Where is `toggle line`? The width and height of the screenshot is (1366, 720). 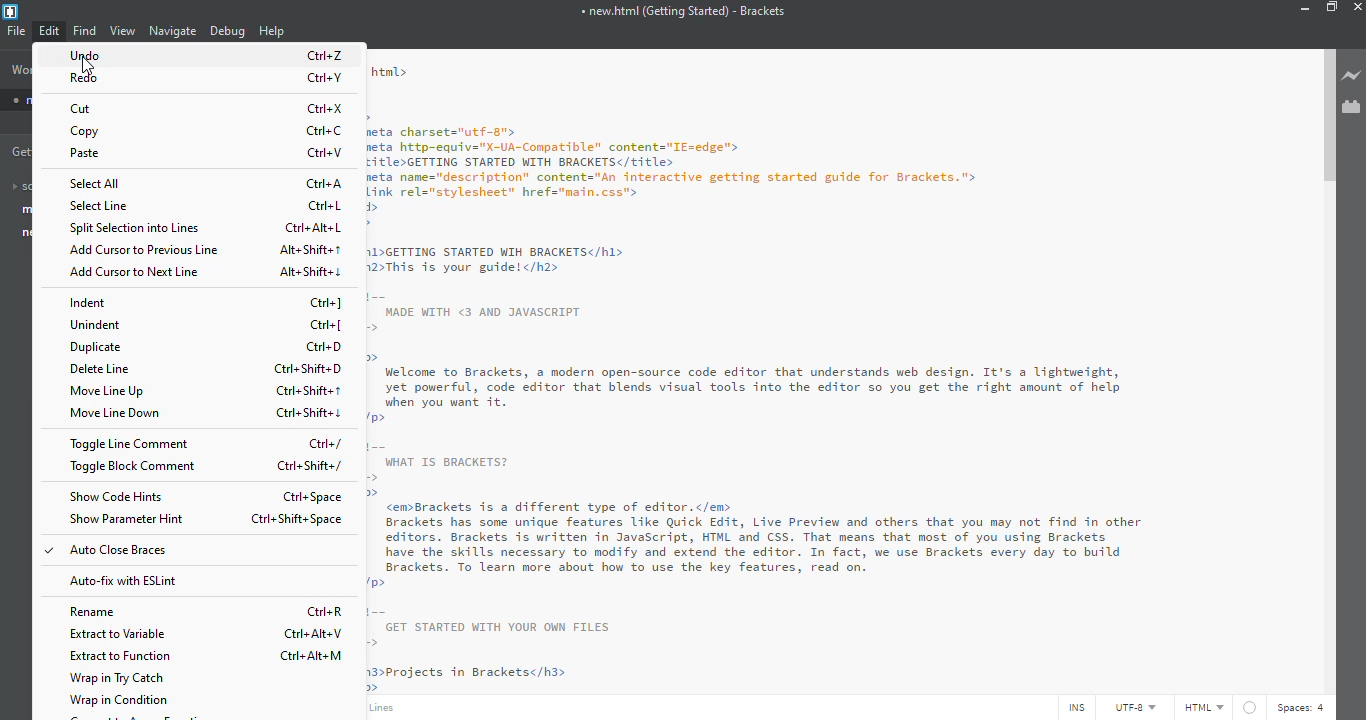 toggle line is located at coordinates (131, 444).